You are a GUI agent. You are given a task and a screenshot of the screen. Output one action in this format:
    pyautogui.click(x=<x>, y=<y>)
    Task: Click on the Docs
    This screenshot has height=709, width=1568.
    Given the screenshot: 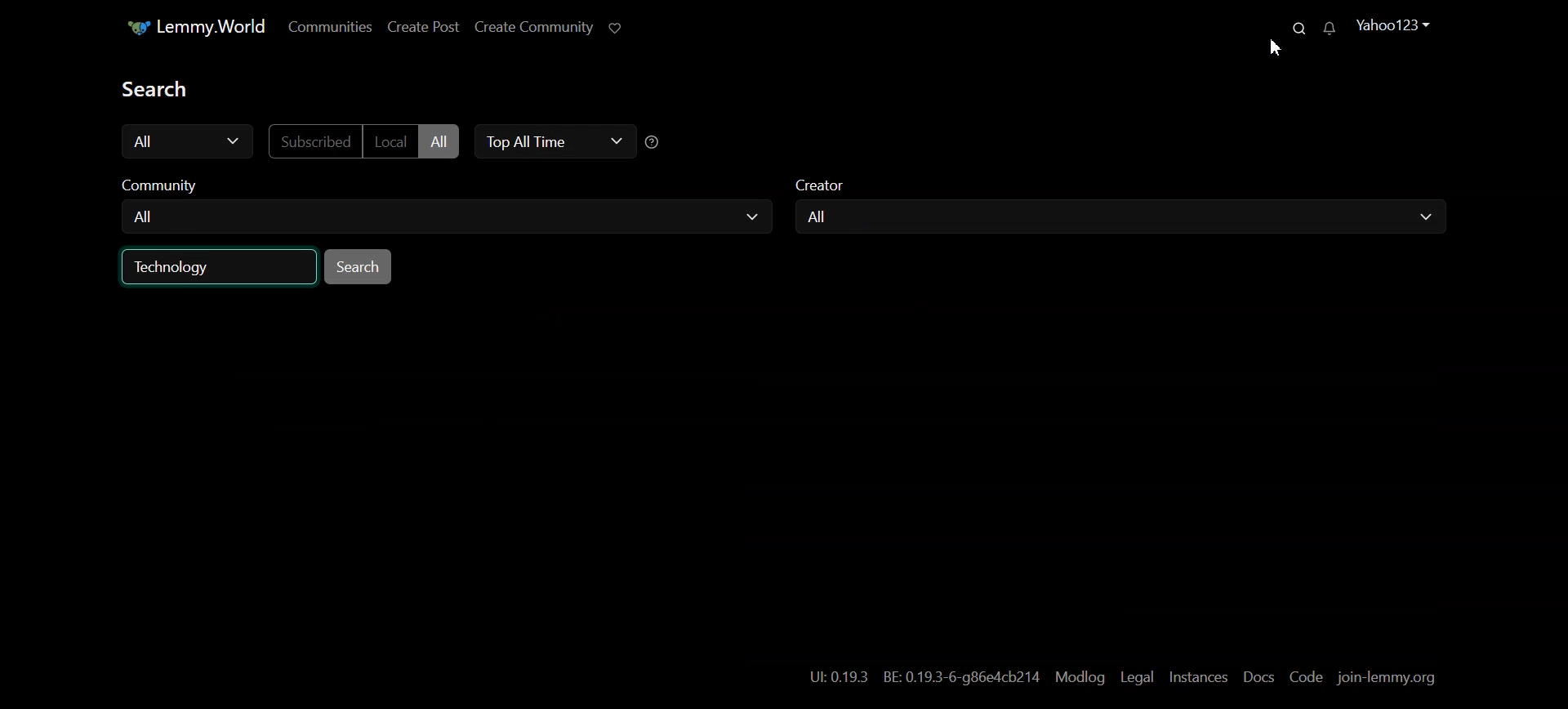 What is the action you would take?
    pyautogui.click(x=1257, y=676)
    